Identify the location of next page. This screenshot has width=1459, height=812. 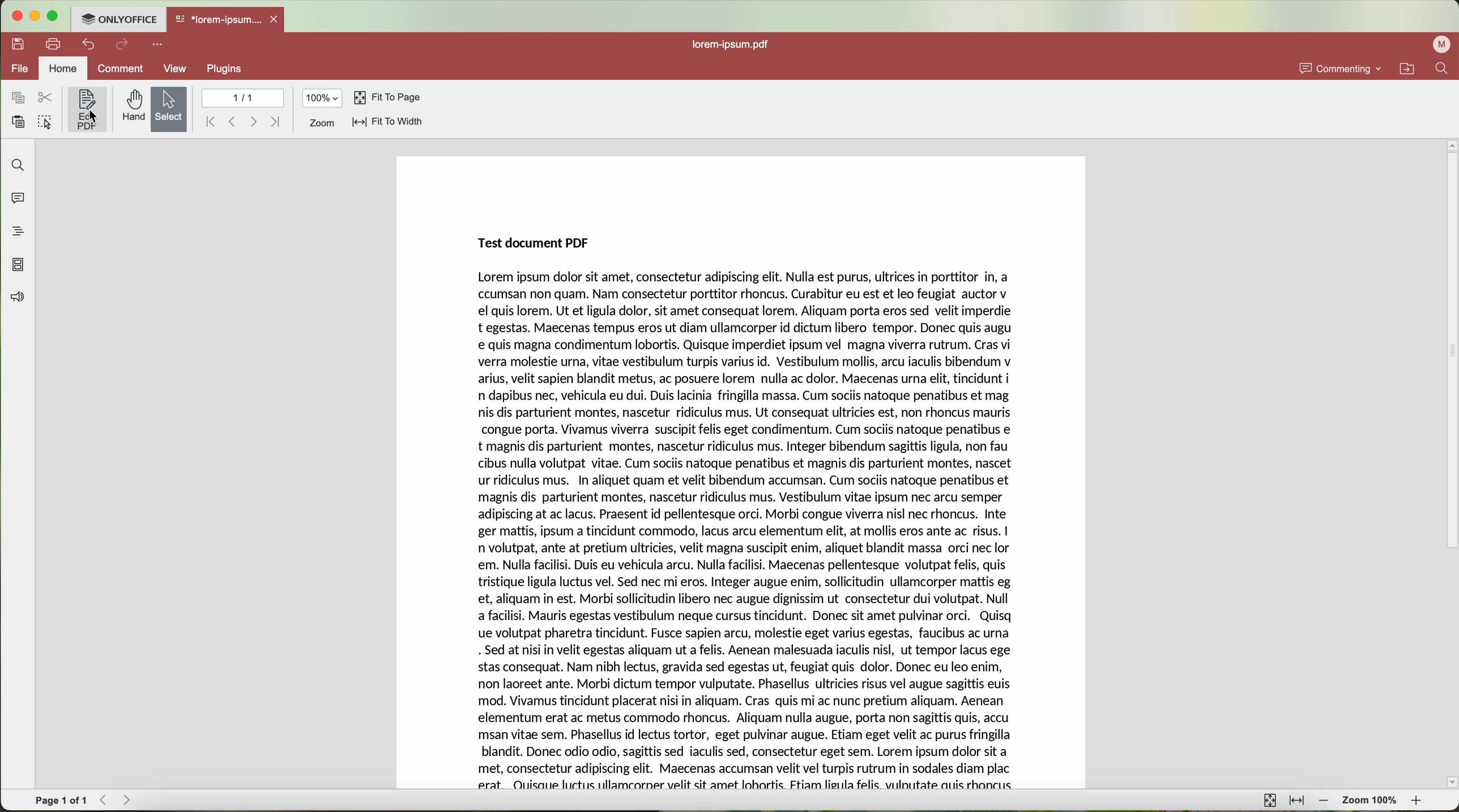
(254, 122).